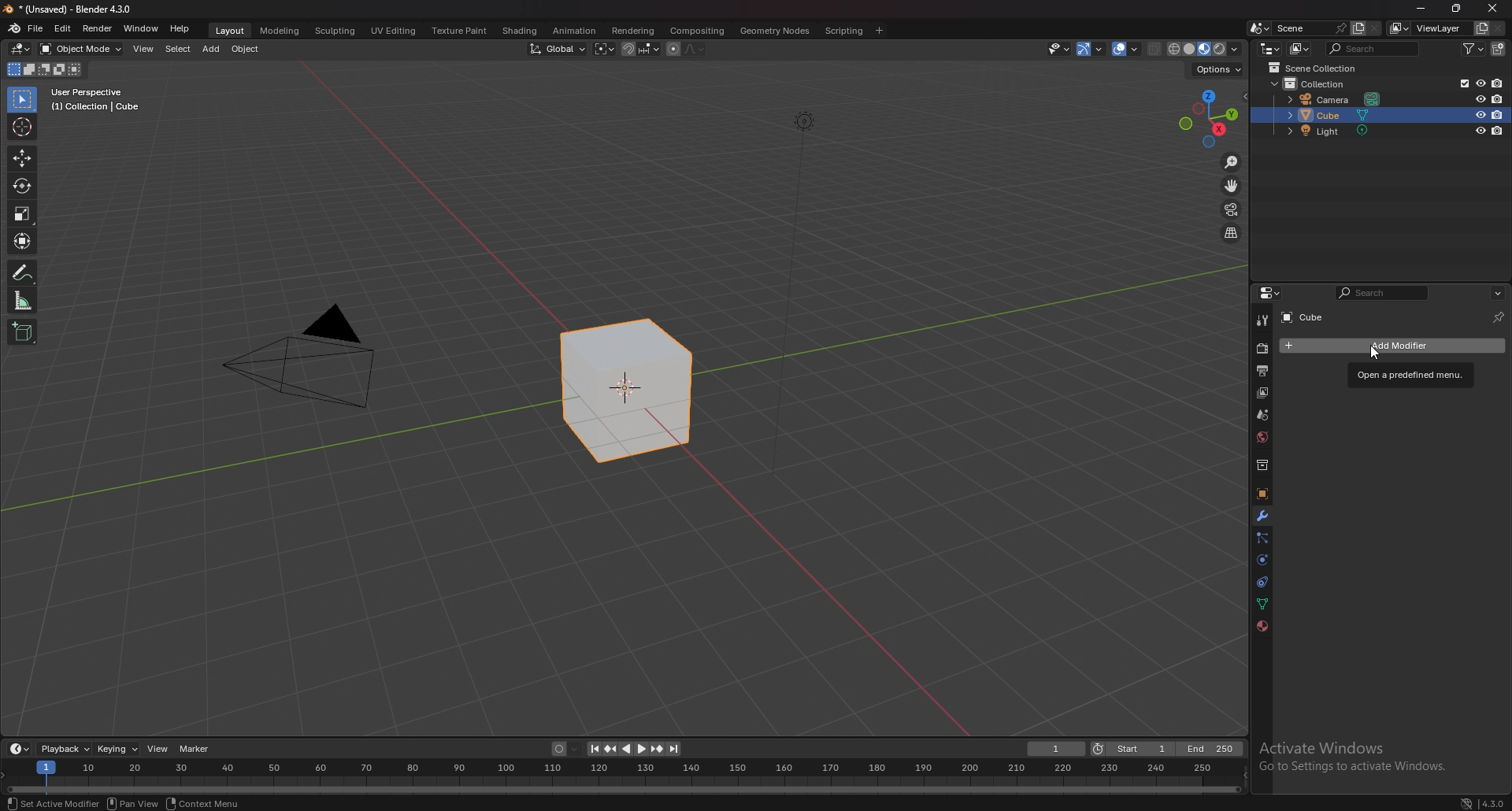  Describe the element at coordinates (566, 750) in the screenshot. I see `auto keying` at that location.